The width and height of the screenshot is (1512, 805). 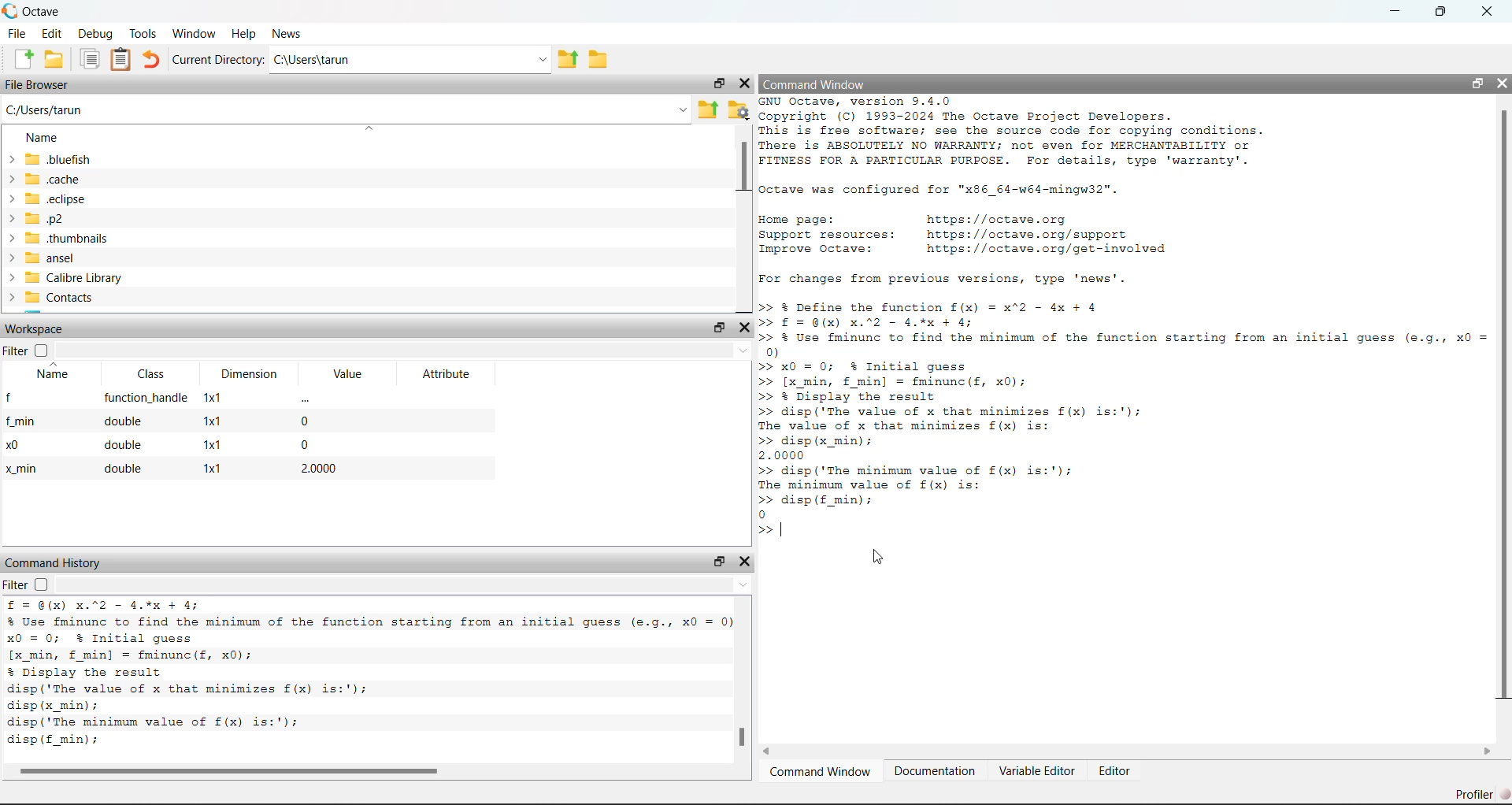 I want to click on C:/Users/tarun, so click(x=409, y=60).